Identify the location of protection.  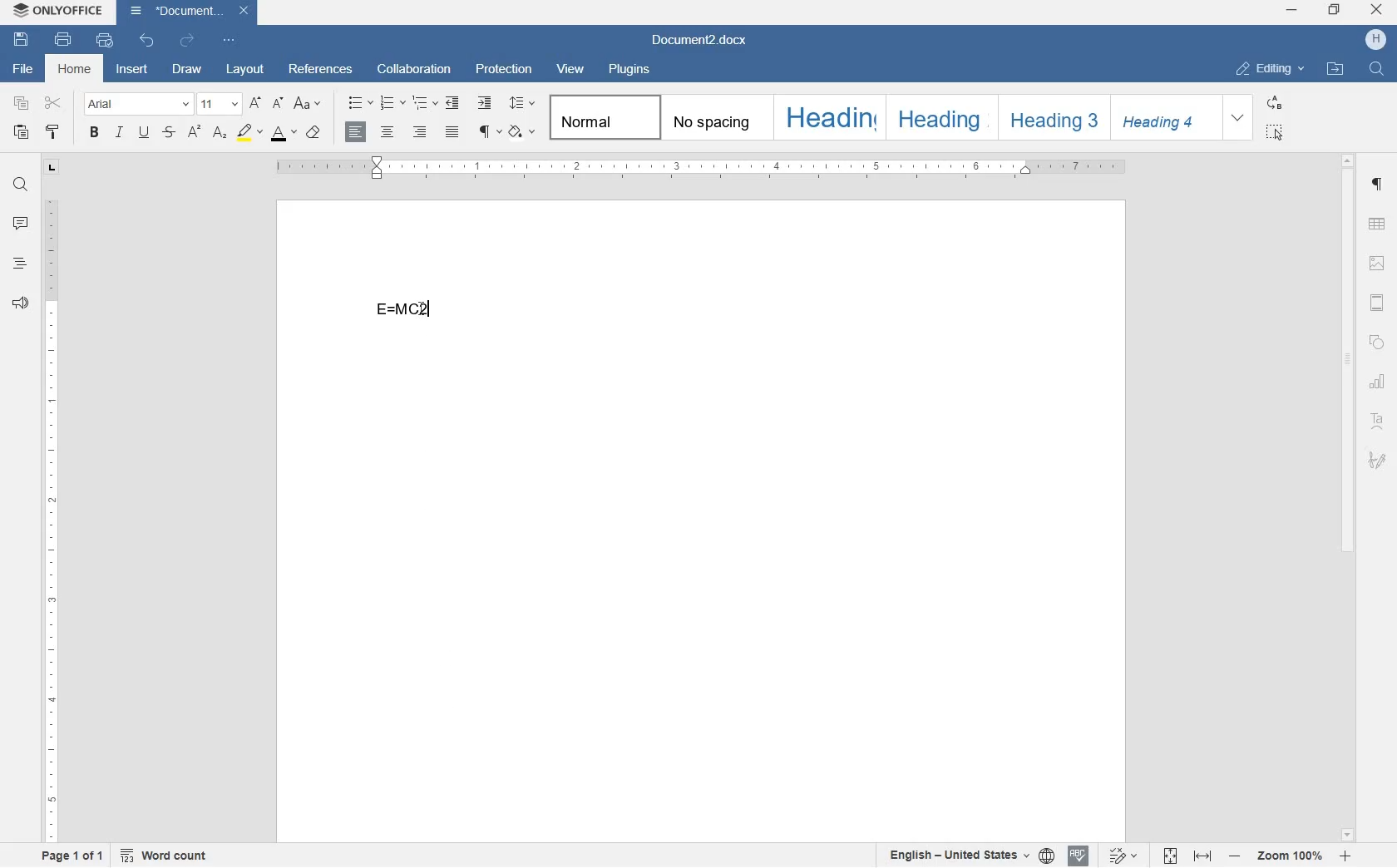
(507, 70).